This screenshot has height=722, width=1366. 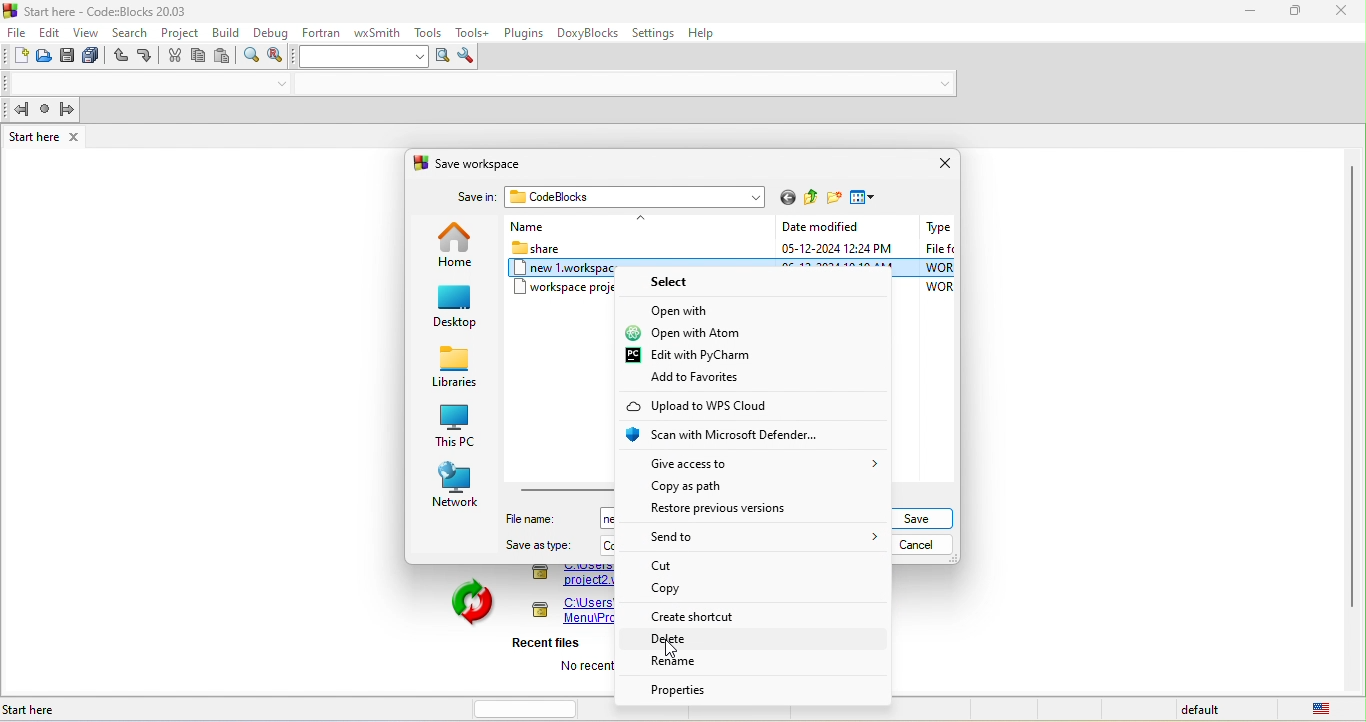 I want to click on edit with pycharm, so click(x=689, y=355).